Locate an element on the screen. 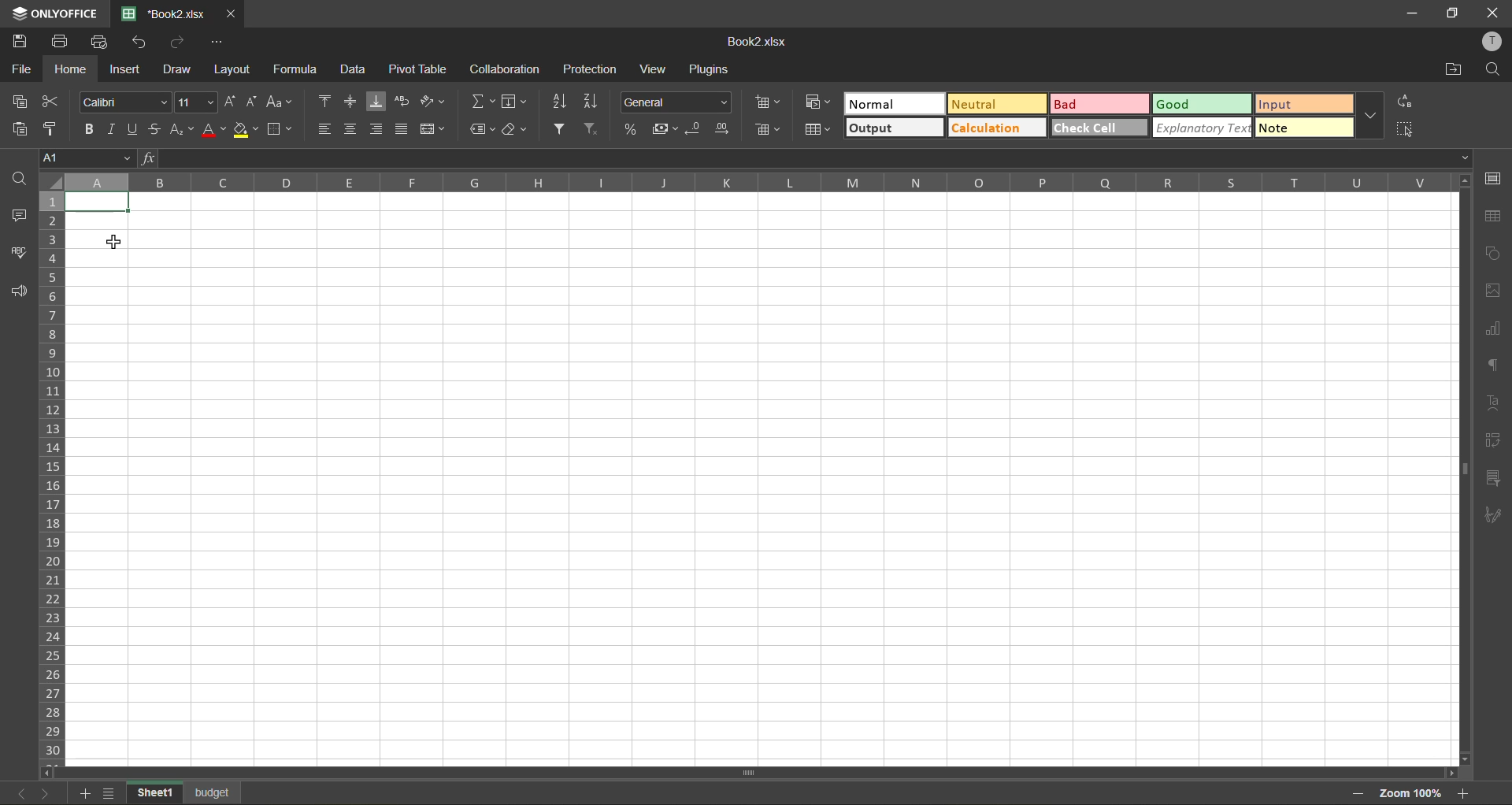  select all is located at coordinates (1406, 125).